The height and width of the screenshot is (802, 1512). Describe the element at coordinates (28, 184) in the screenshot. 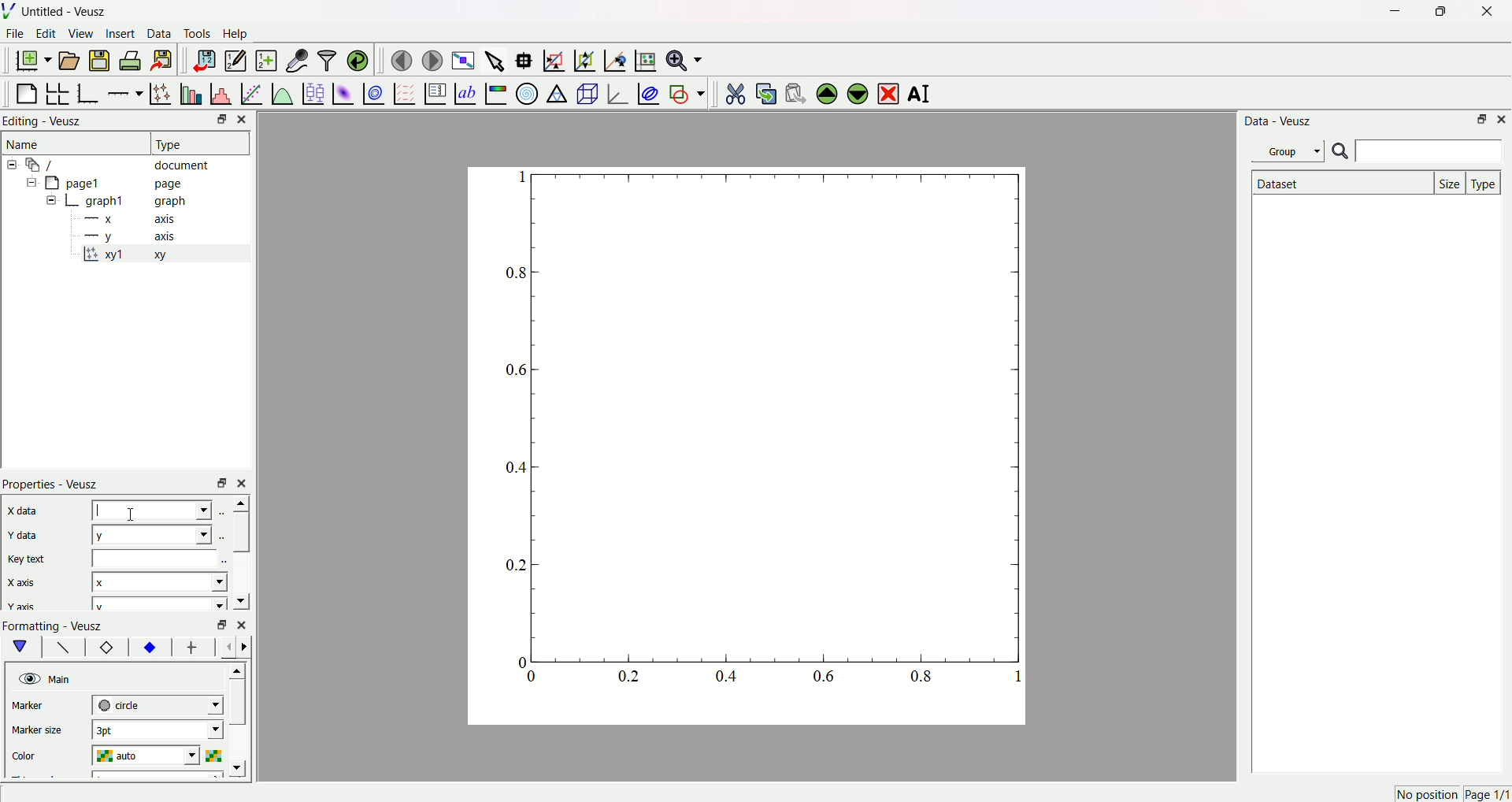

I see `collapse` at that location.